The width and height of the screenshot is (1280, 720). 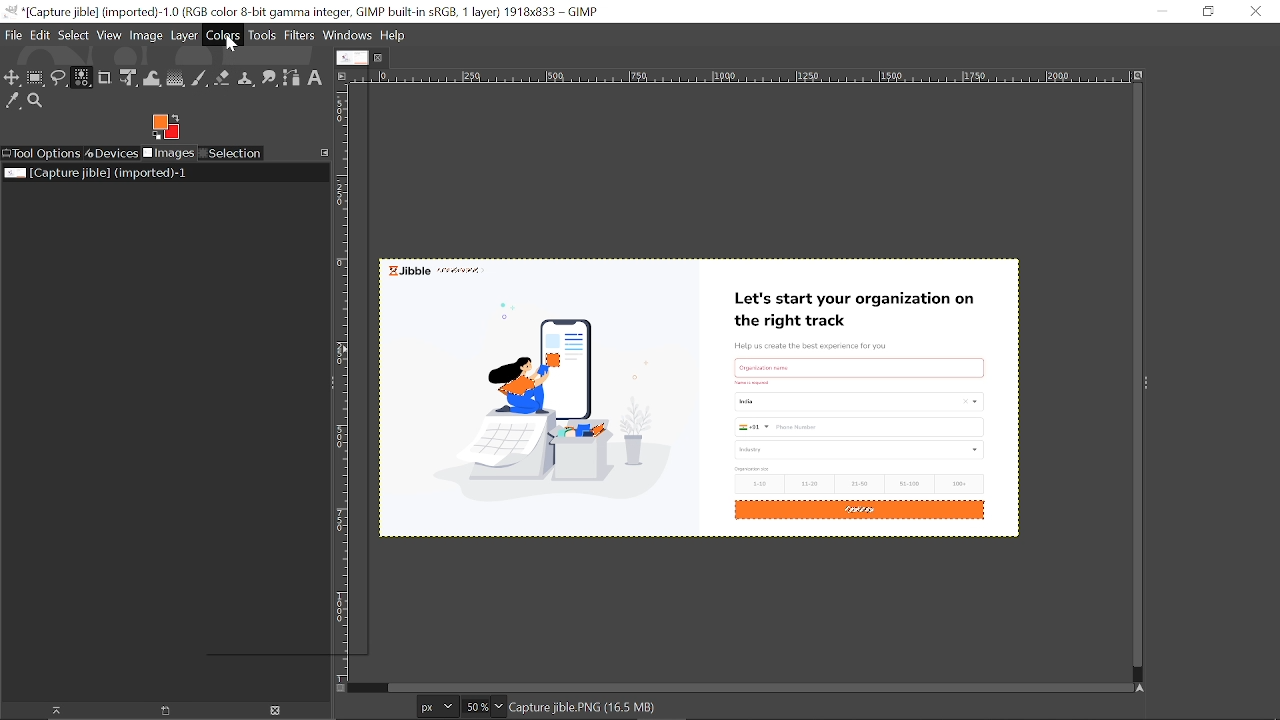 I want to click on Crop tool, so click(x=105, y=77).